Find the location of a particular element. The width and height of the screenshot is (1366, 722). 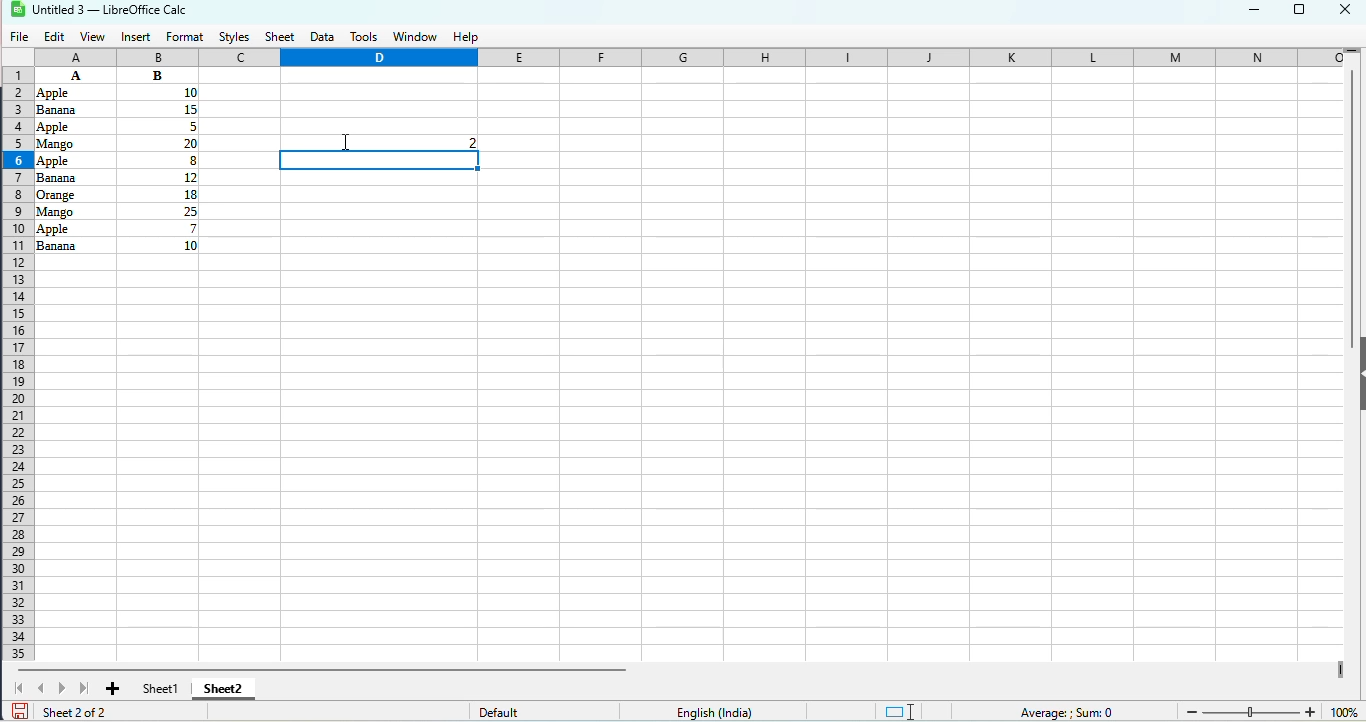

close is located at coordinates (1345, 8).